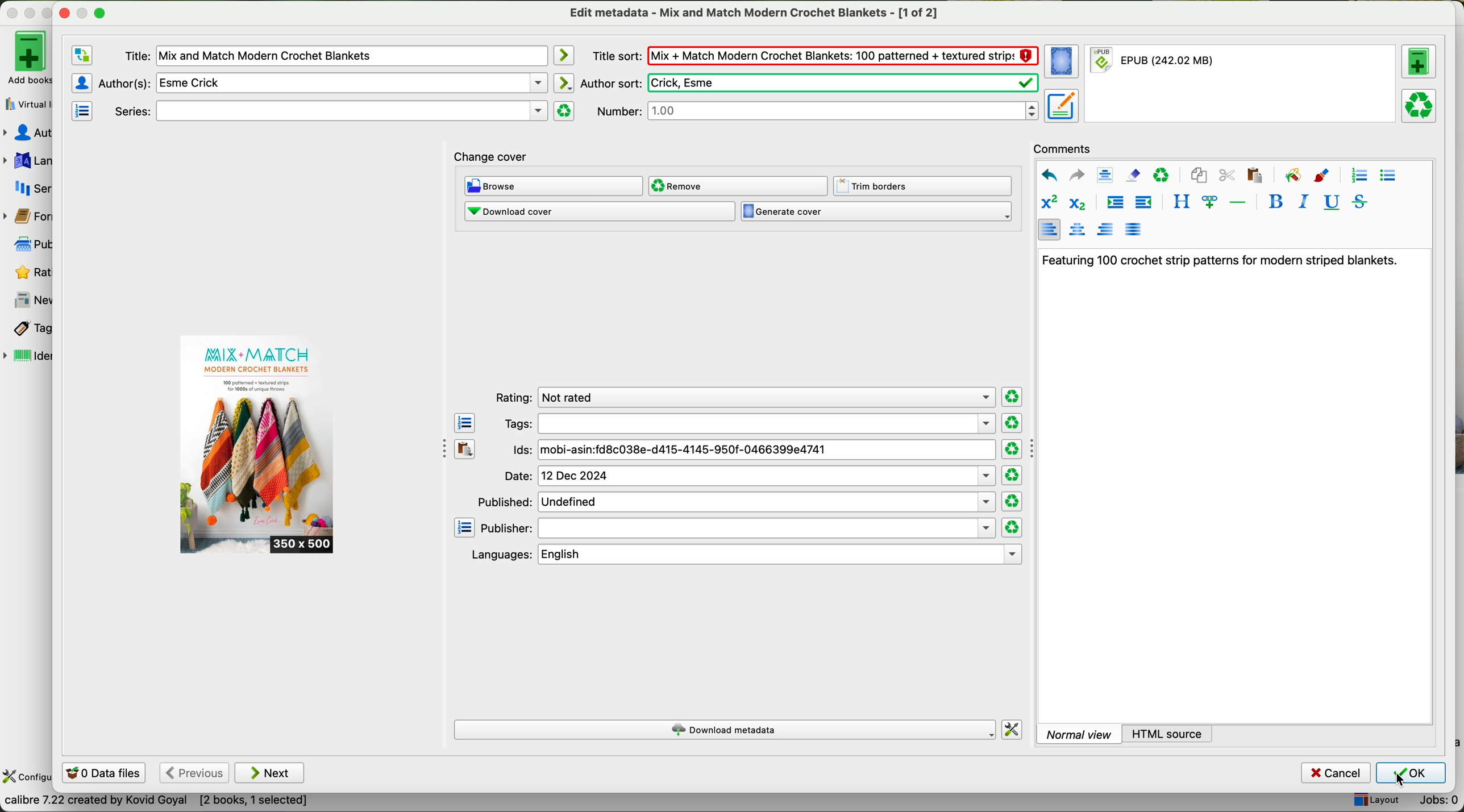  What do you see at coordinates (726, 731) in the screenshot?
I see `download metadata` at bounding box center [726, 731].